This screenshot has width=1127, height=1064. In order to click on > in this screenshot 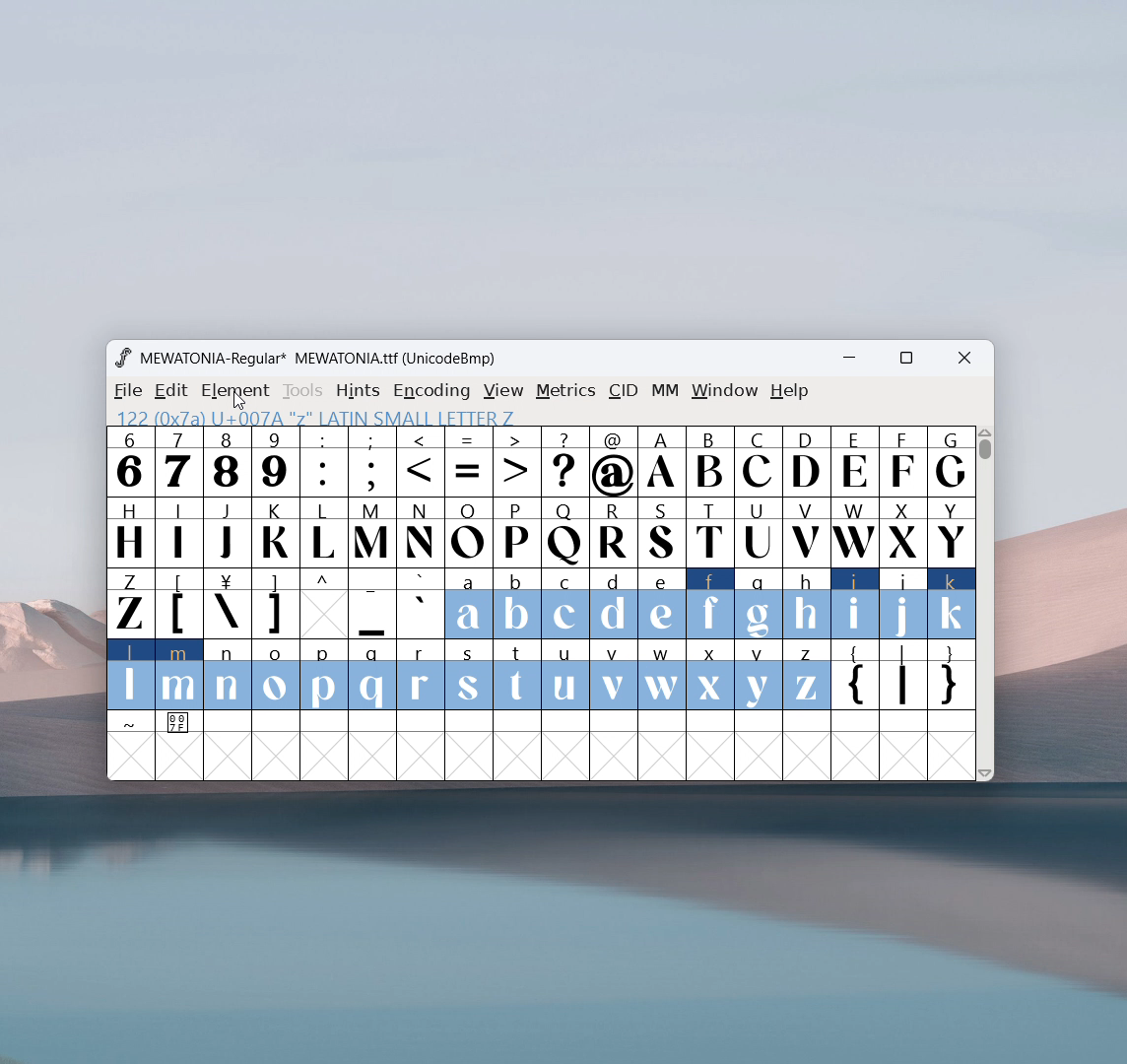, I will do `click(518, 462)`.